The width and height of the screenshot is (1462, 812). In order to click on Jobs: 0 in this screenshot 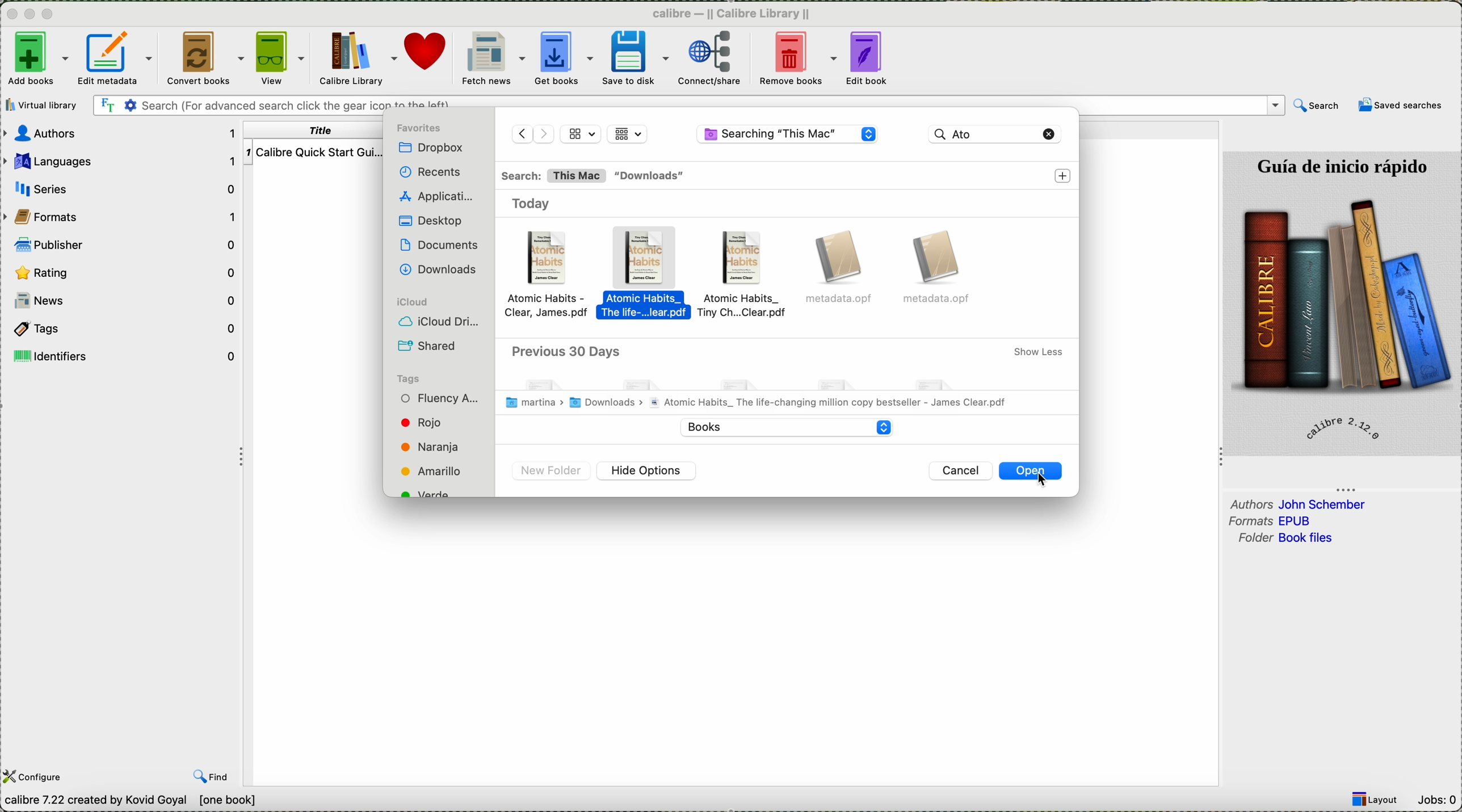, I will do `click(1436, 801)`.